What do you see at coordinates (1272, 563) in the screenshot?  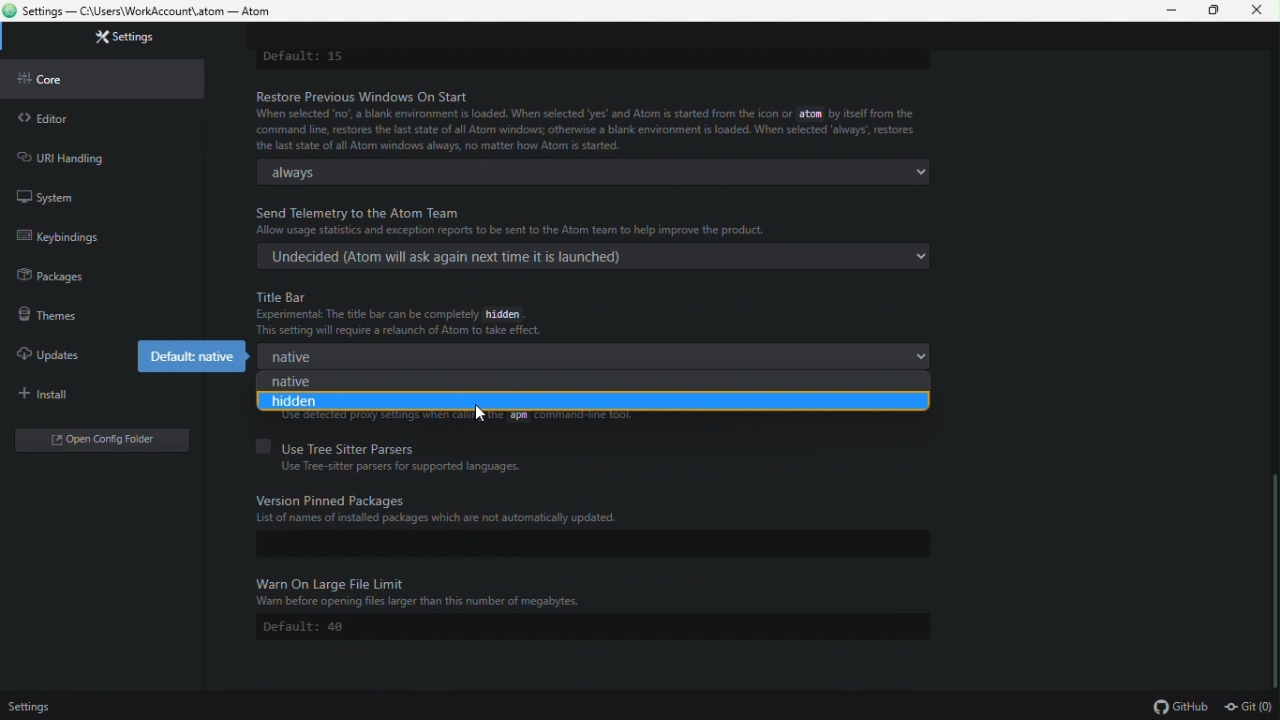 I see `Scroll bar` at bounding box center [1272, 563].